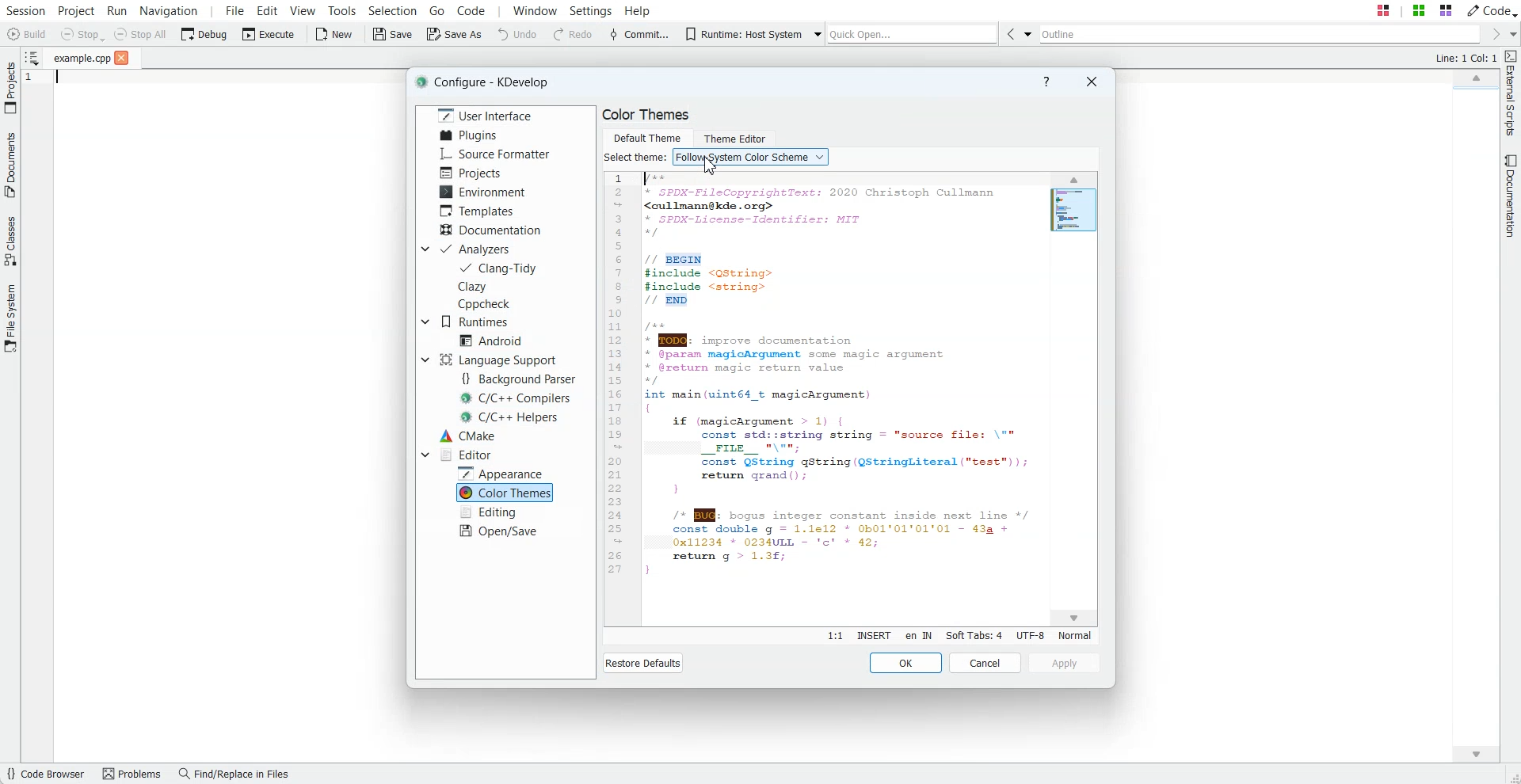 This screenshot has width=1521, height=784. Describe the element at coordinates (468, 135) in the screenshot. I see `Plugins` at that location.